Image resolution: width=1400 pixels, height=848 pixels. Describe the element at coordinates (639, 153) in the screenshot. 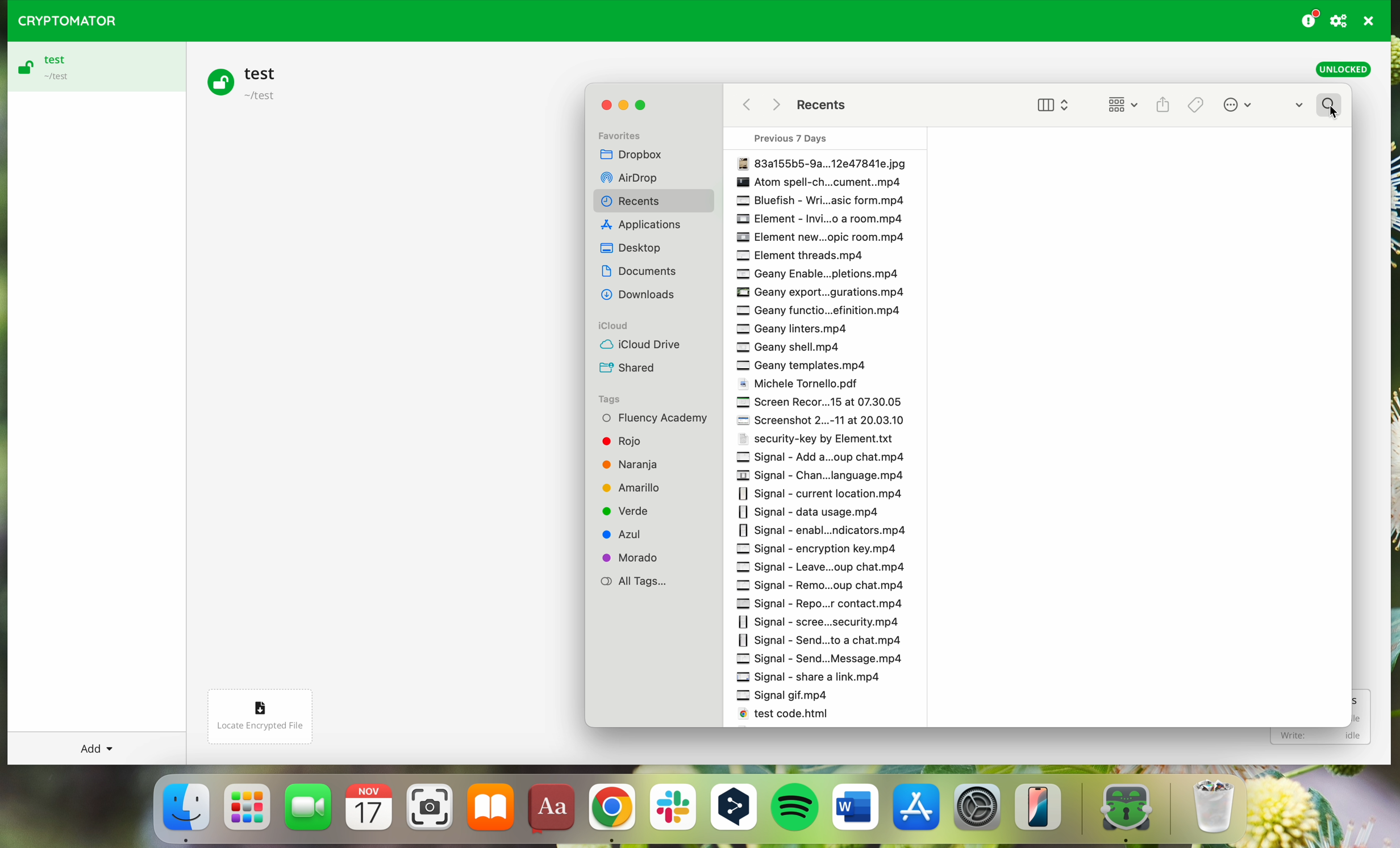

I see `Dropbox` at that location.